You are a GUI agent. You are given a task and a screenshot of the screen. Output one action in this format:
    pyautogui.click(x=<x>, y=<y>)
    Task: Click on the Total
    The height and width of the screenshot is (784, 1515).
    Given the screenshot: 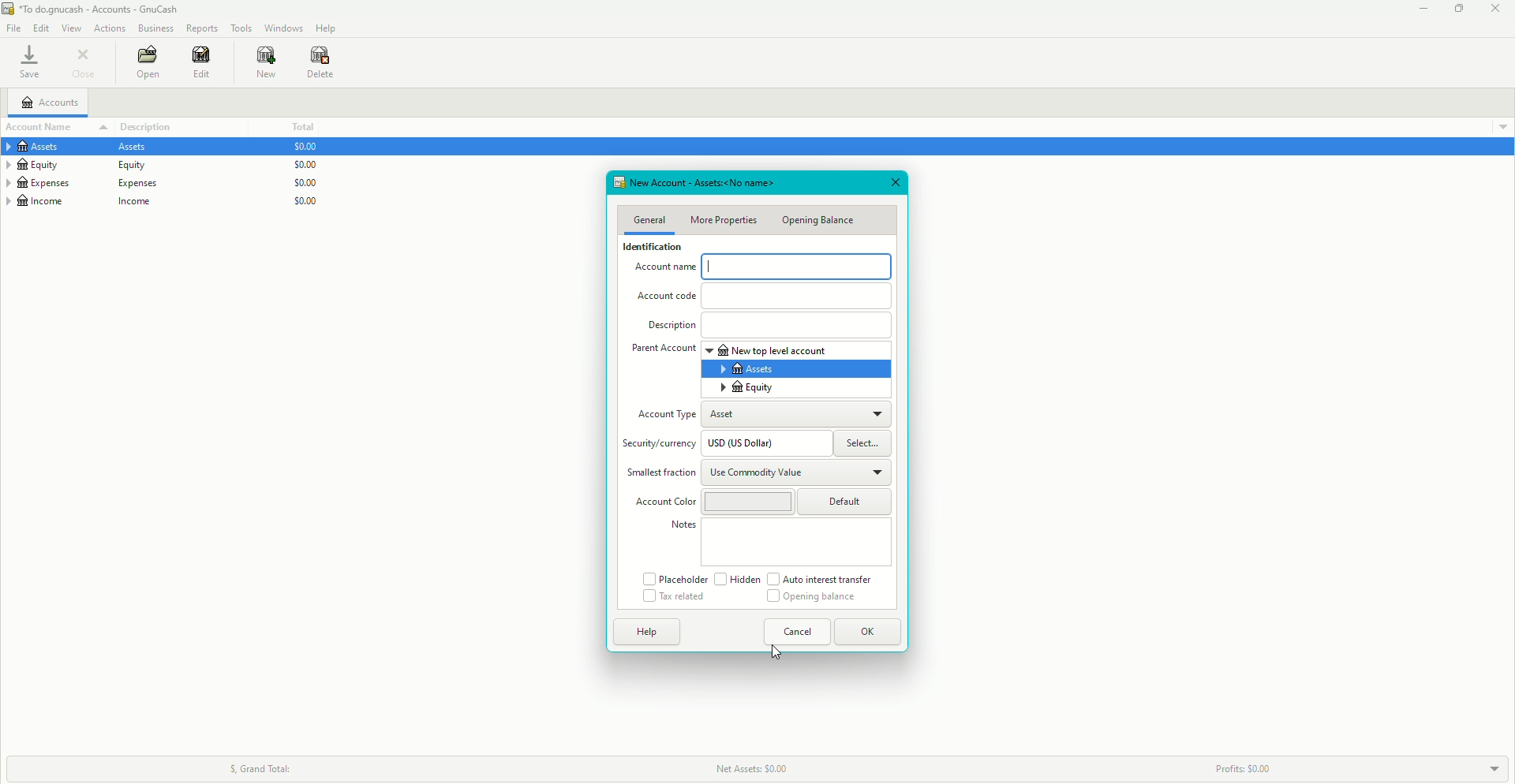 What is the action you would take?
    pyautogui.click(x=301, y=127)
    